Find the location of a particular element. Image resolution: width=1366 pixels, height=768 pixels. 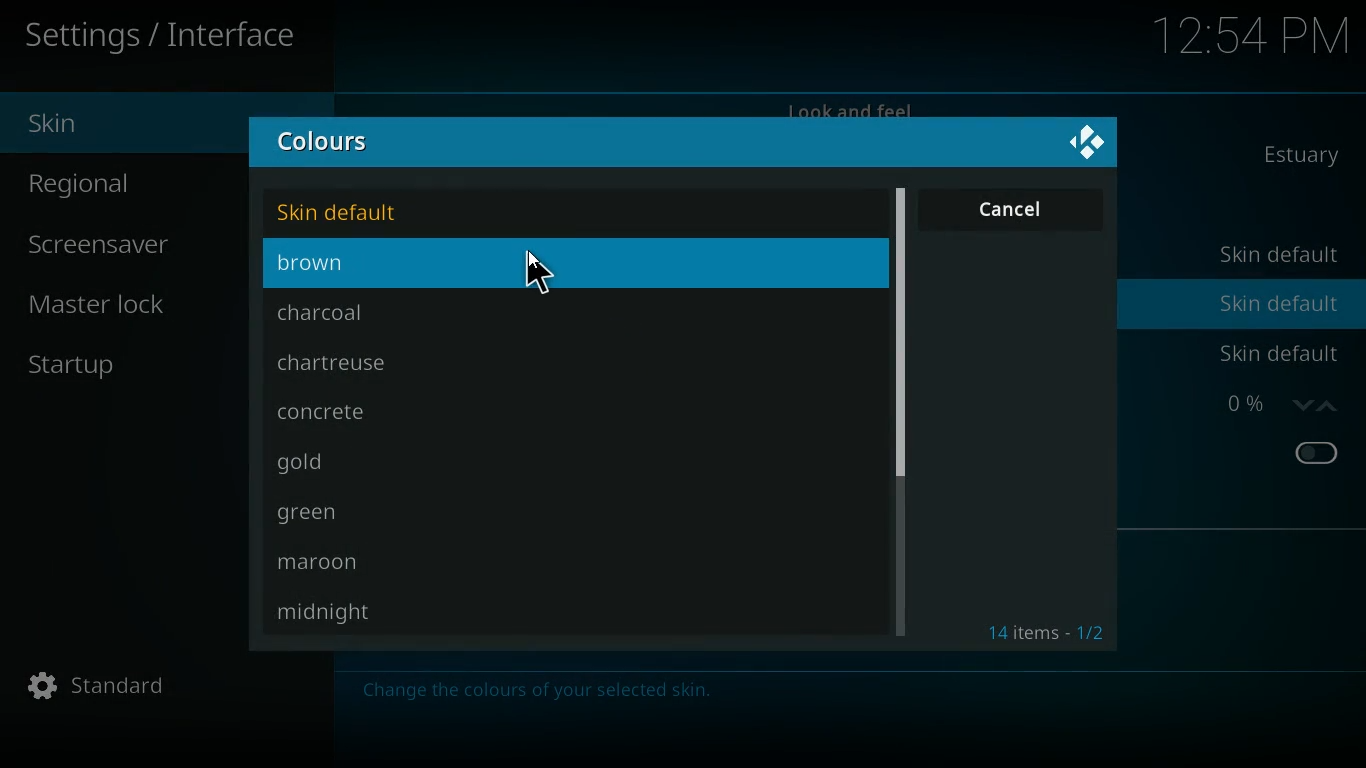

skin default is located at coordinates (1278, 303).